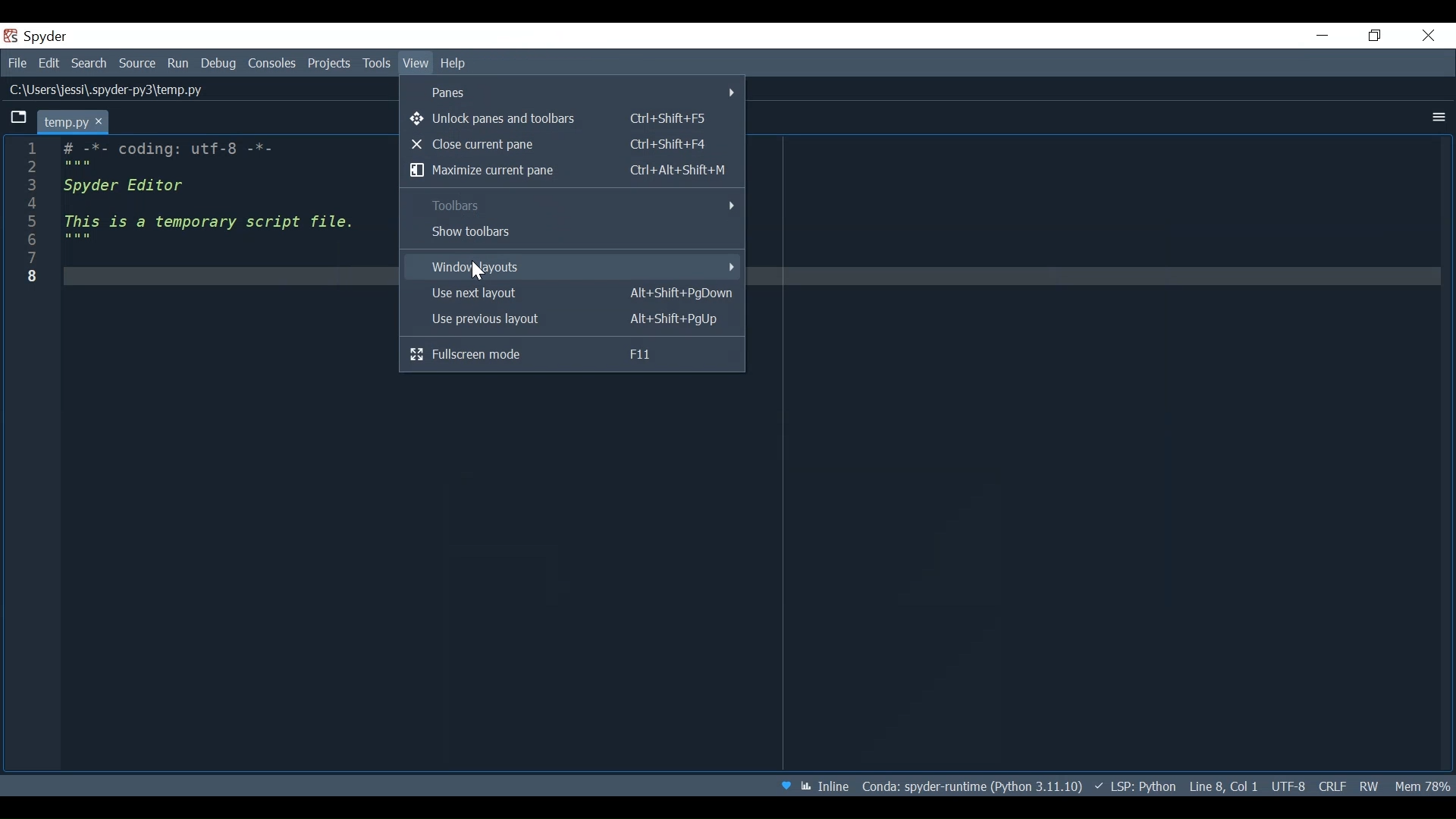  What do you see at coordinates (971, 786) in the screenshot?
I see `Conda Environment Indicator` at bounding box center [971, 786].